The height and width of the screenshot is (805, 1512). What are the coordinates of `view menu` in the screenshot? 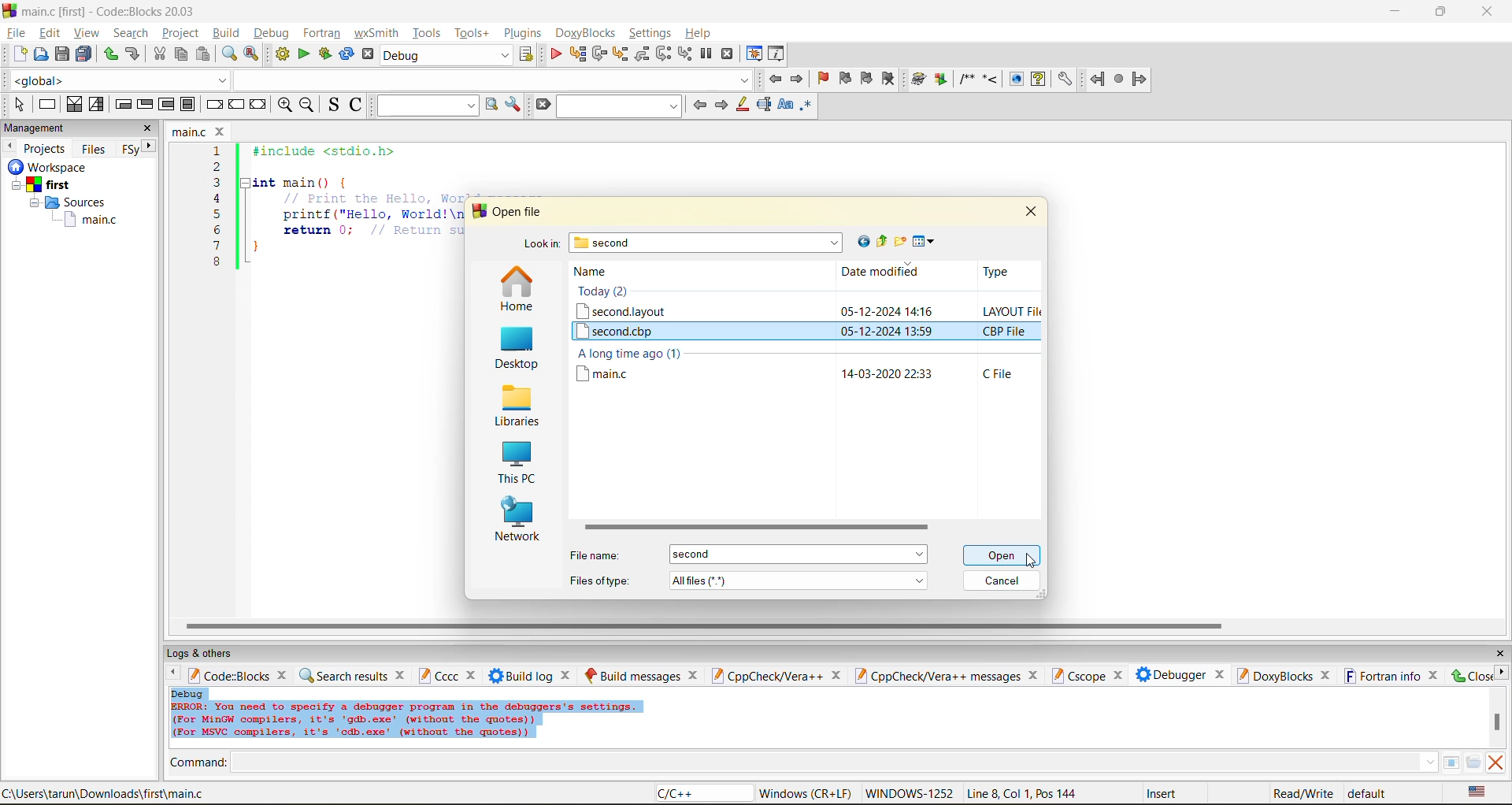 It's located at (926, 242).